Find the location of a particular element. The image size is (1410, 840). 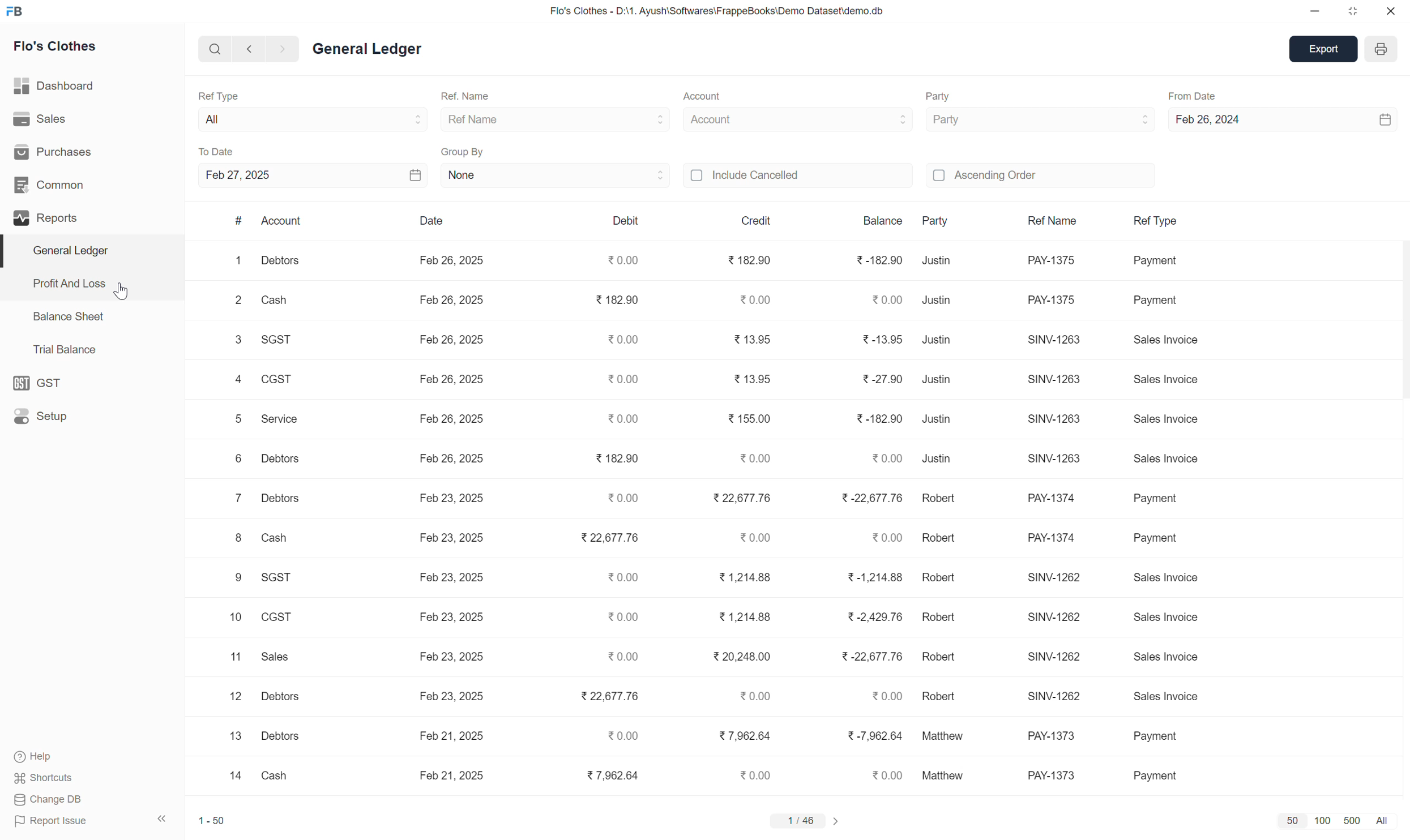

12 is located at coordinates (227, 697).